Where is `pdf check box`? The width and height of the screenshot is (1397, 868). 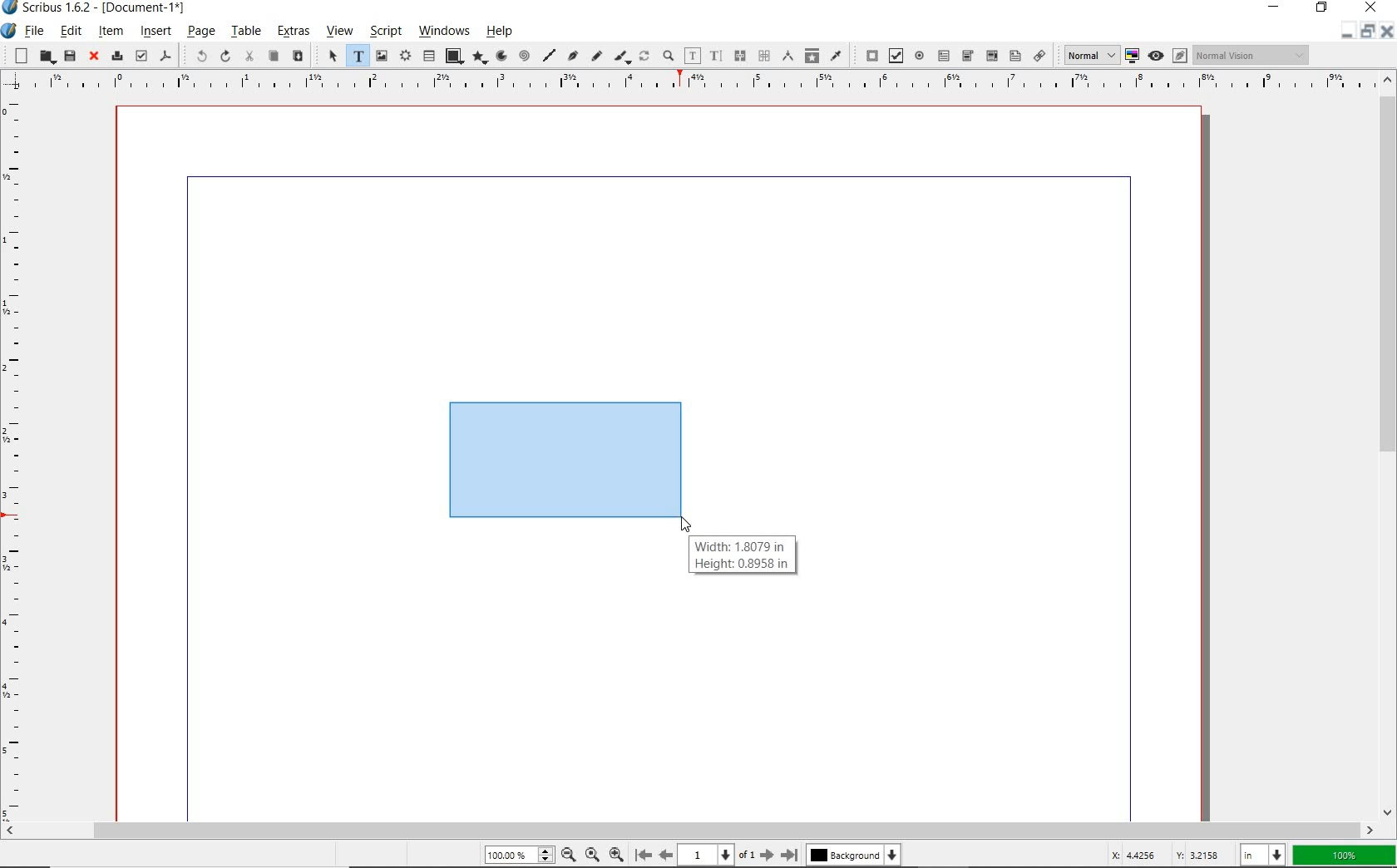
pdf check box is located at coordinates (894, 55).